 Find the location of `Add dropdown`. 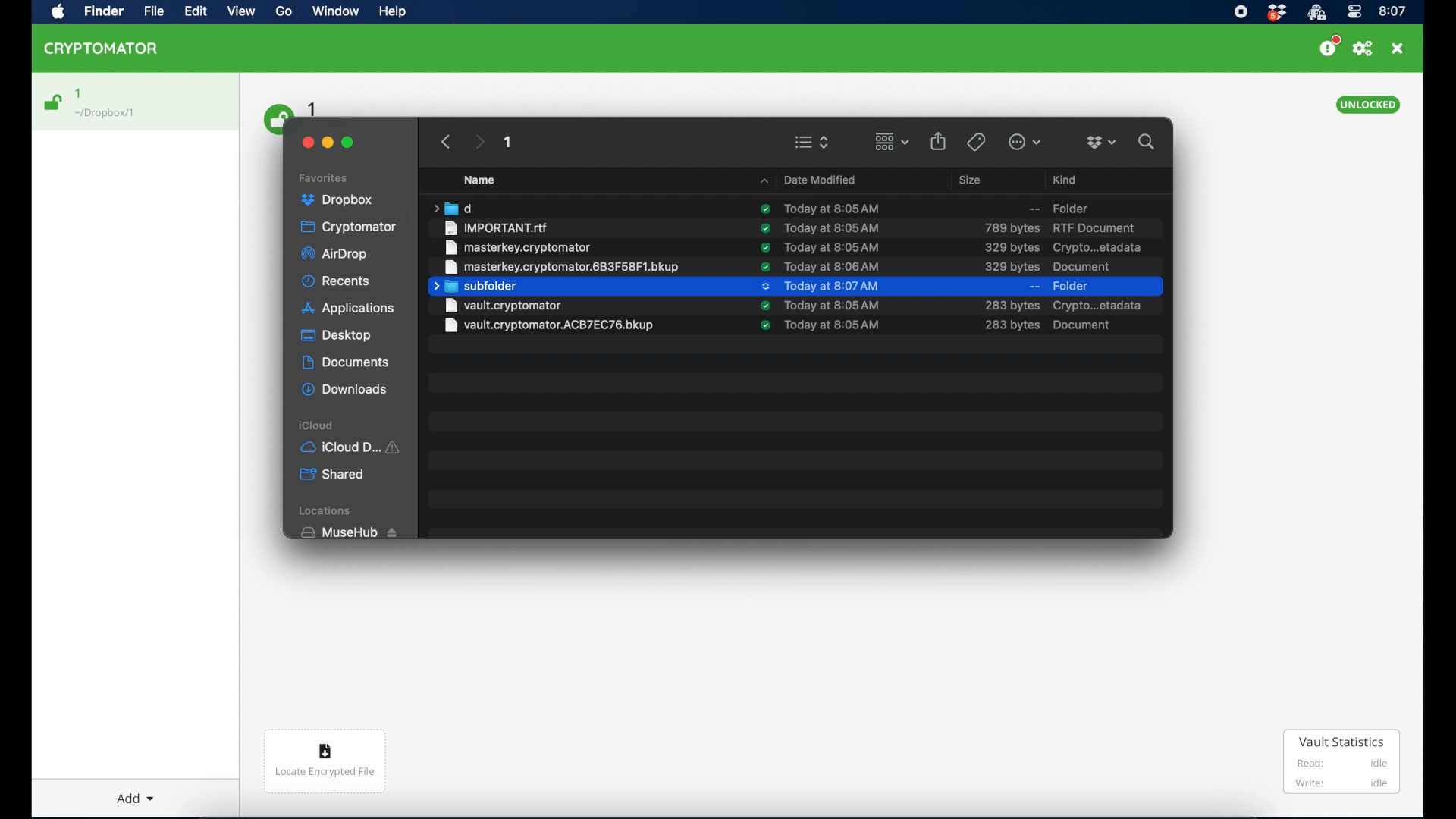

Add dropdown is located at coordinates (139, 792).